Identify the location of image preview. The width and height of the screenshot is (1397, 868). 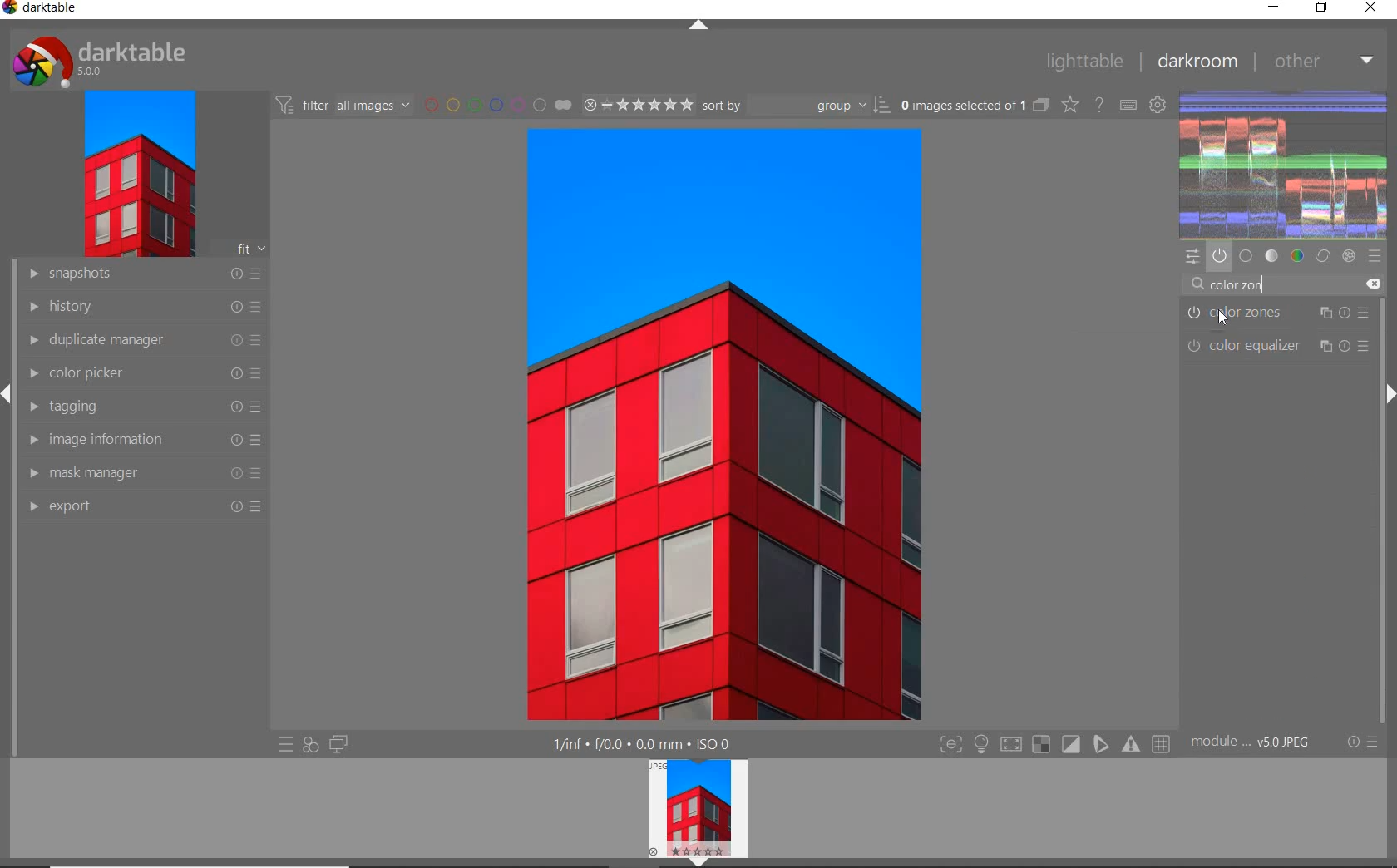
(694, 806).